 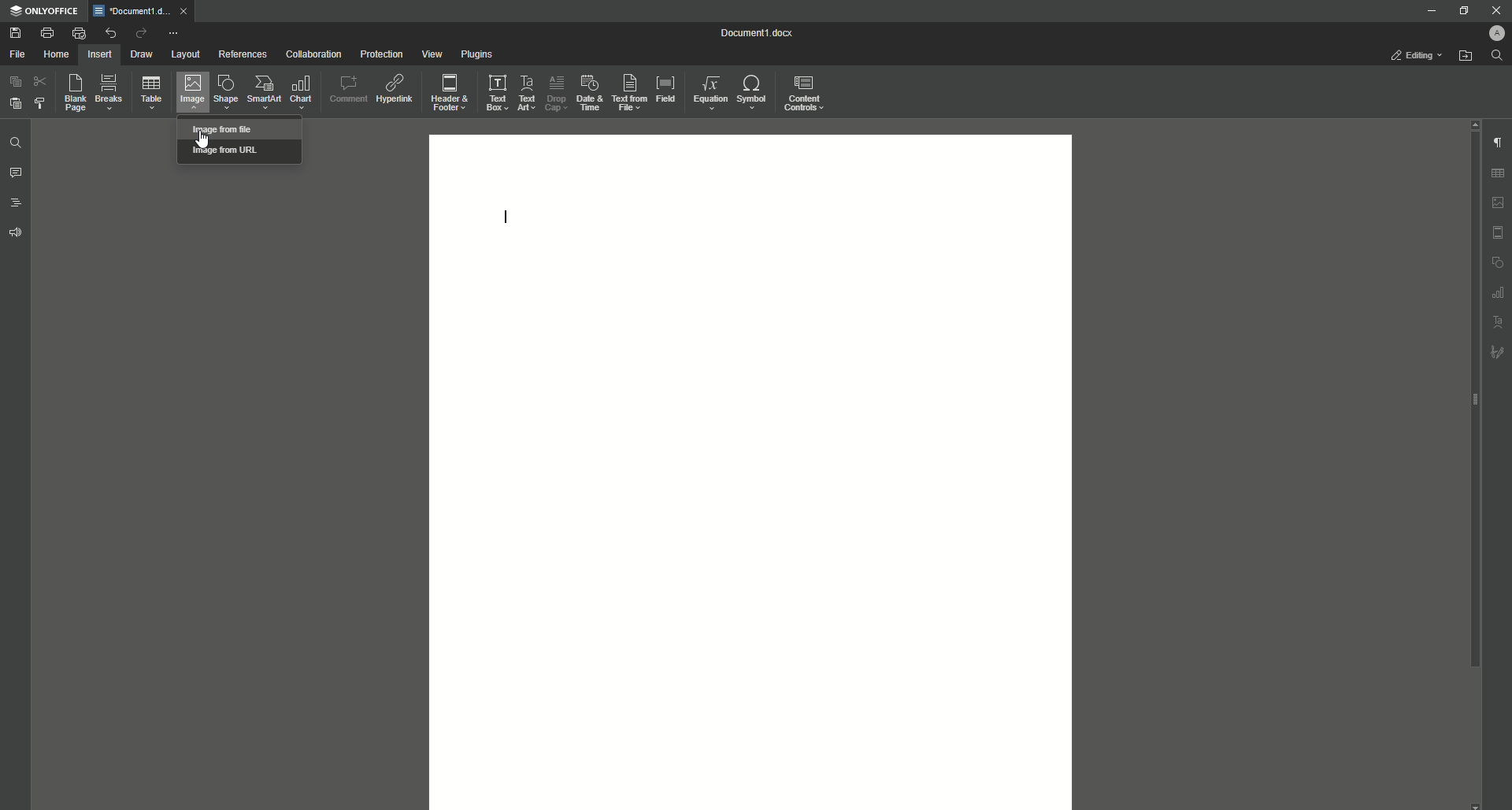 What do you see at coordinates (203, 139) in the screenshot?
I see `Cursor` at bounding box center [203, 139].